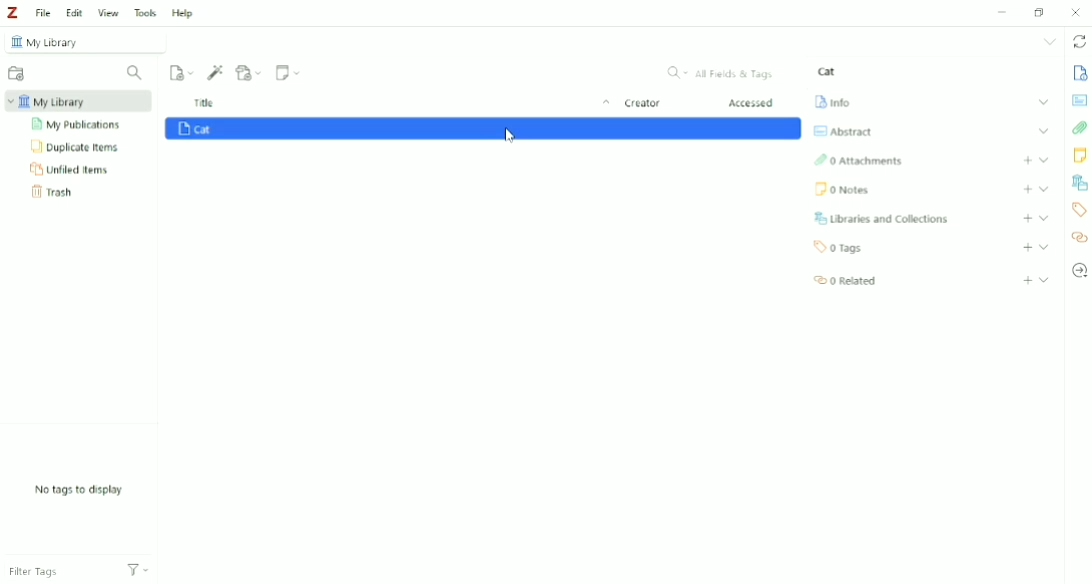 The width and height of the screenshot is (1092, 584). I want to click on Filter Tags, so click(57, 567).